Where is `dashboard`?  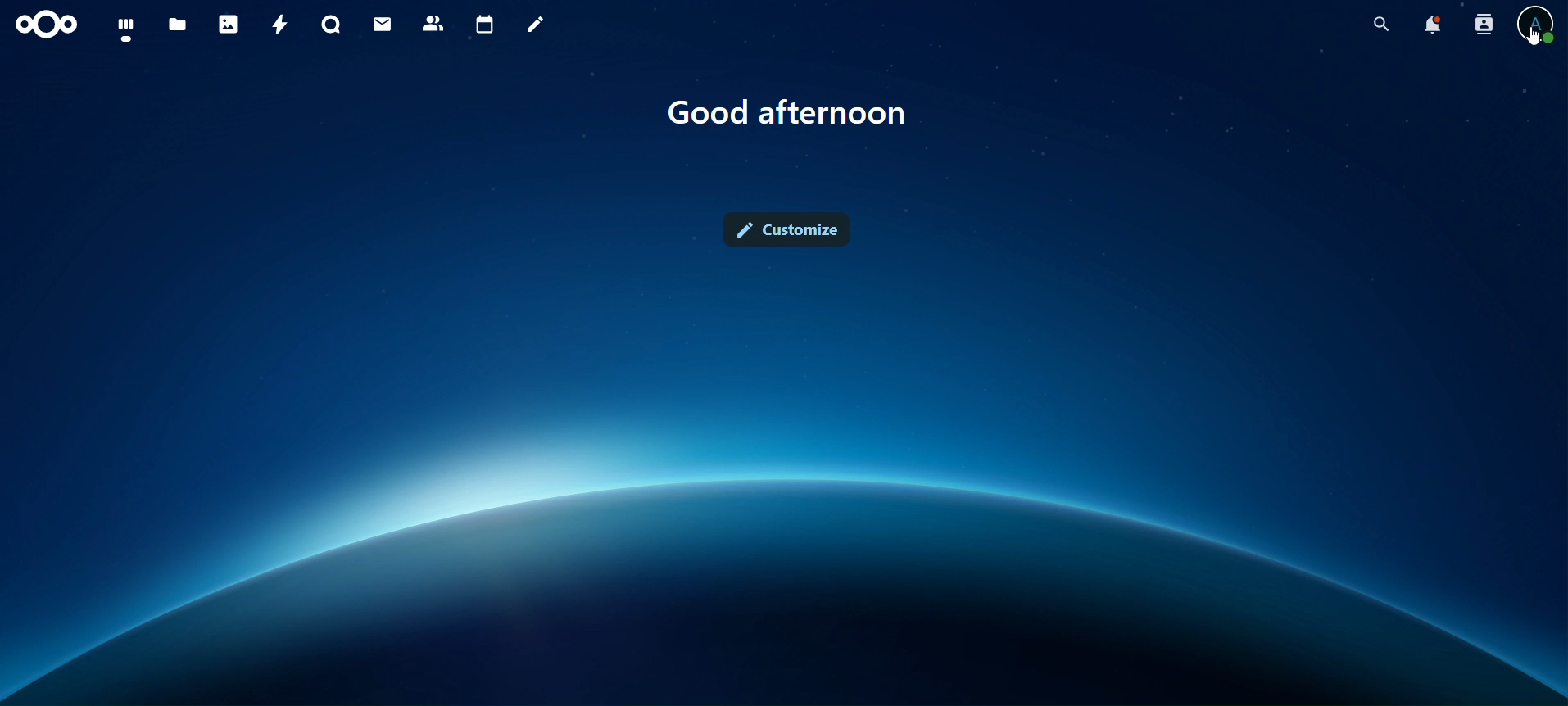 dashboard is located at coordinates (125, 29).